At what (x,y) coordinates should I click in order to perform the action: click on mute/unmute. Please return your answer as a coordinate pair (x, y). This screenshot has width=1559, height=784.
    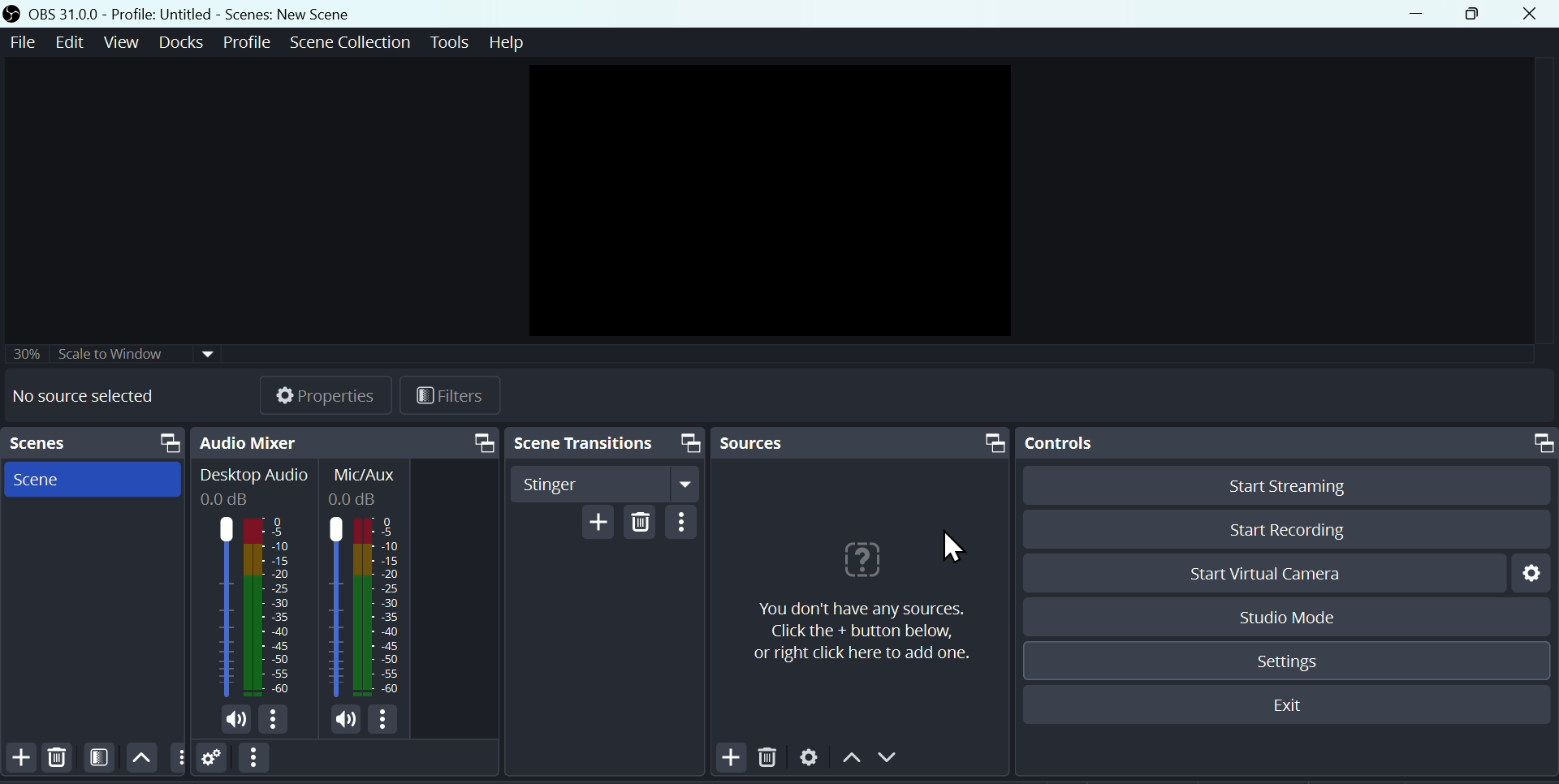
    Looking at the image, I should click on (341, 720).